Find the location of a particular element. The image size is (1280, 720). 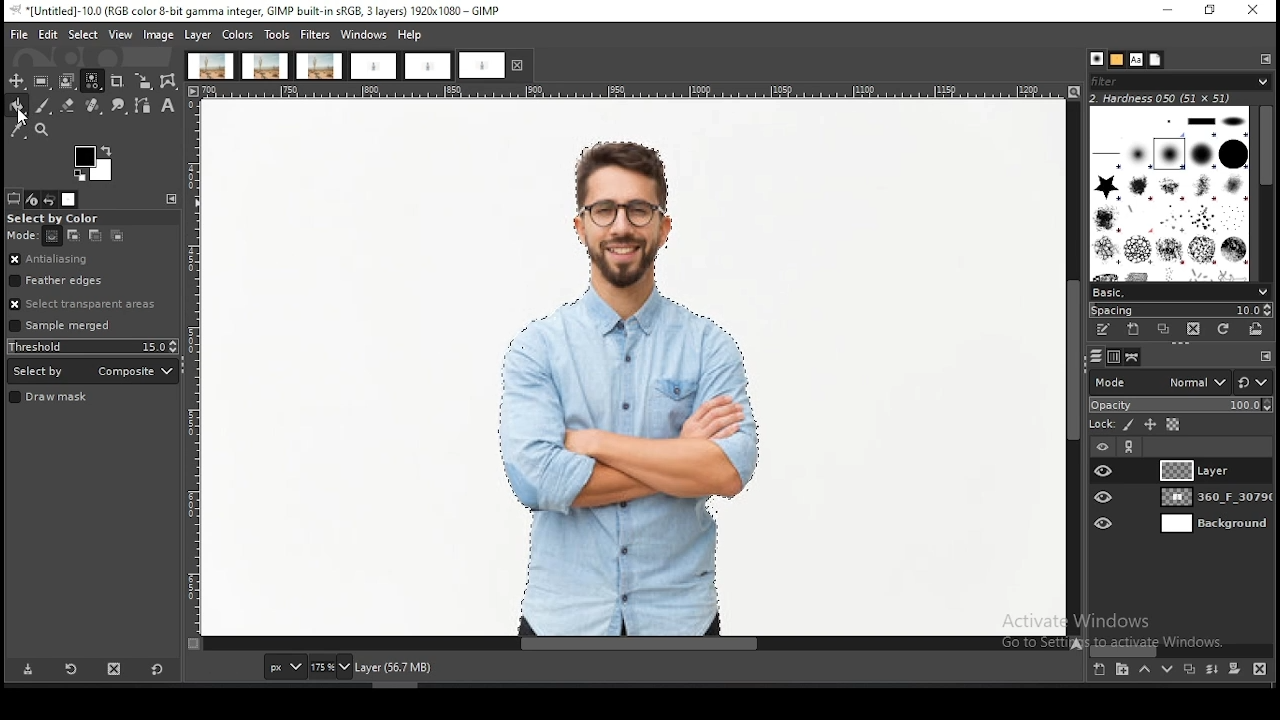

layer visibility on/off is located at coordinates (1105, 496).